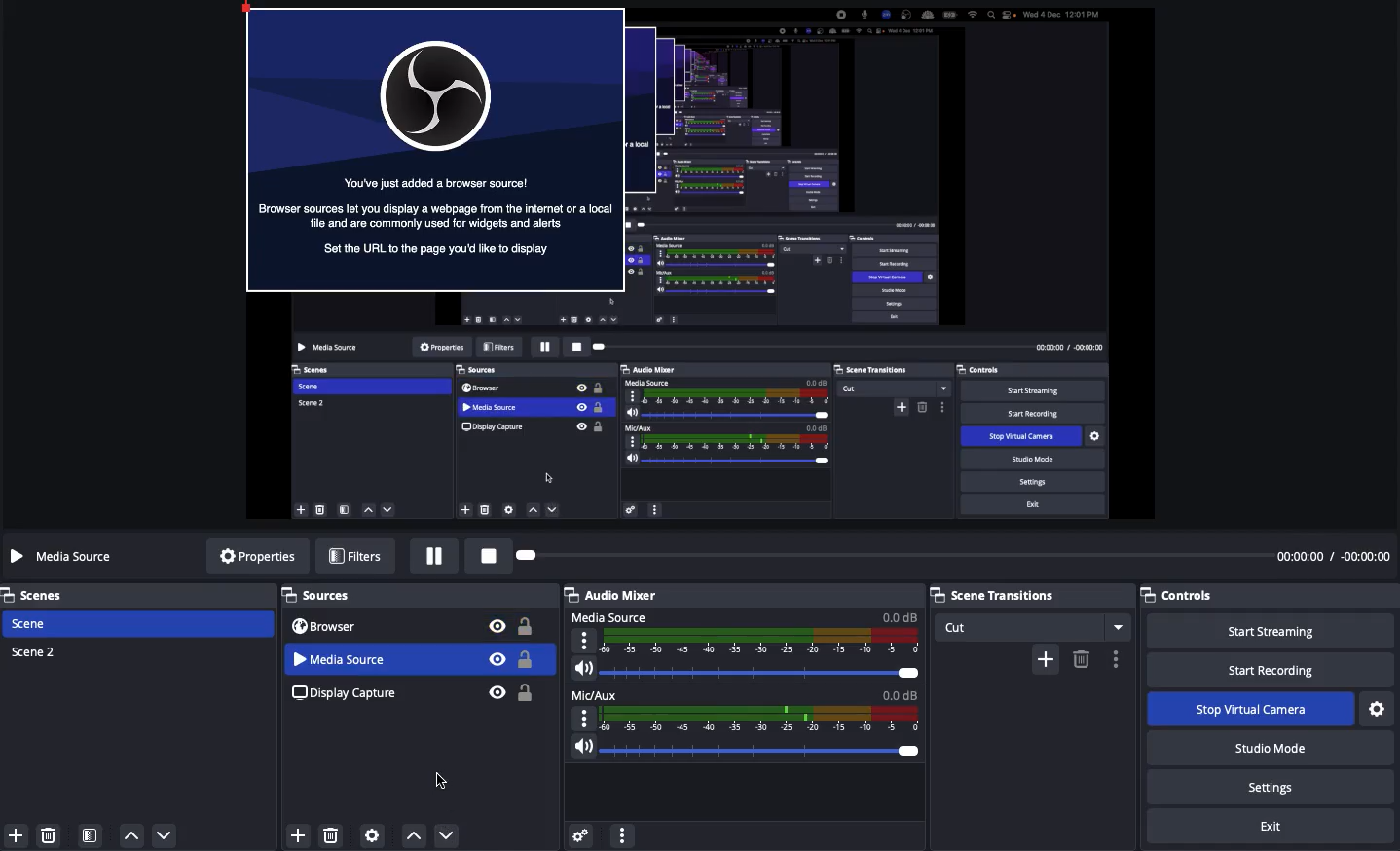 This screenshot has height=851, width=1400. Describe the element at coordinates (1188, 596) in the screenshot. I see `Controls` at that location.